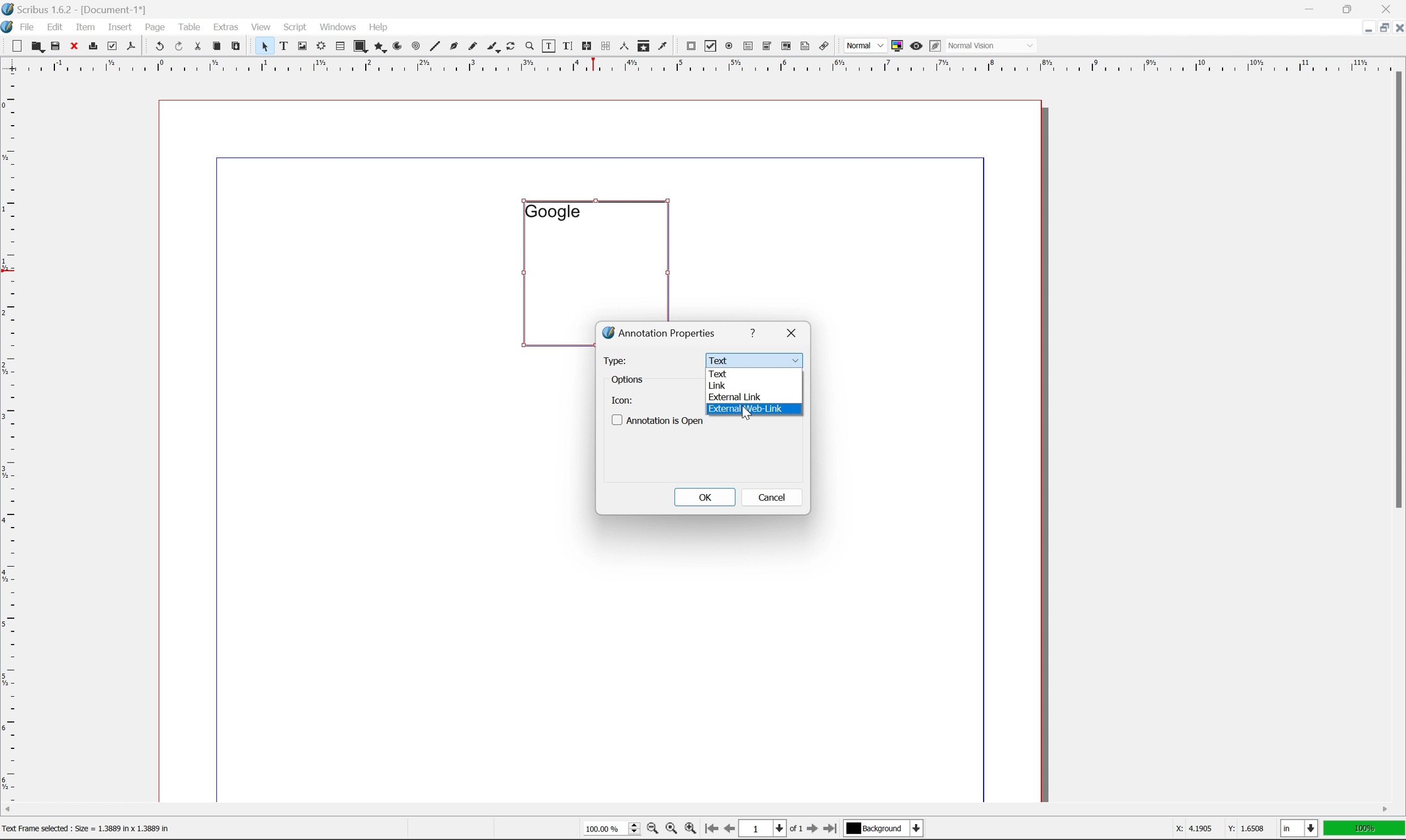 The image size is (1406, 840). Describe the element at coordinates (730, 830) in the screenshot. I see `go to previous page` at that location.